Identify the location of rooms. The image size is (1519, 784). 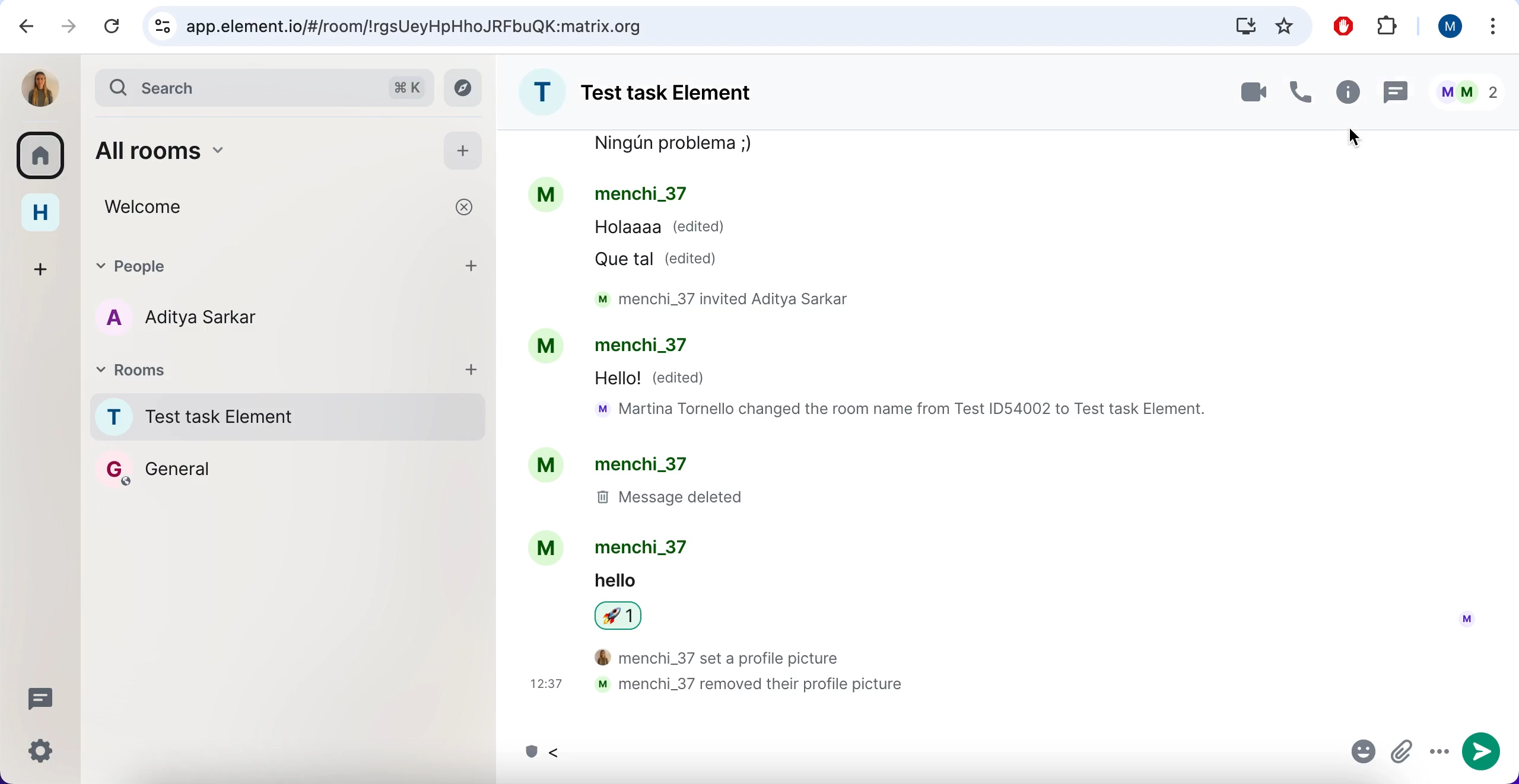
(262, 369).